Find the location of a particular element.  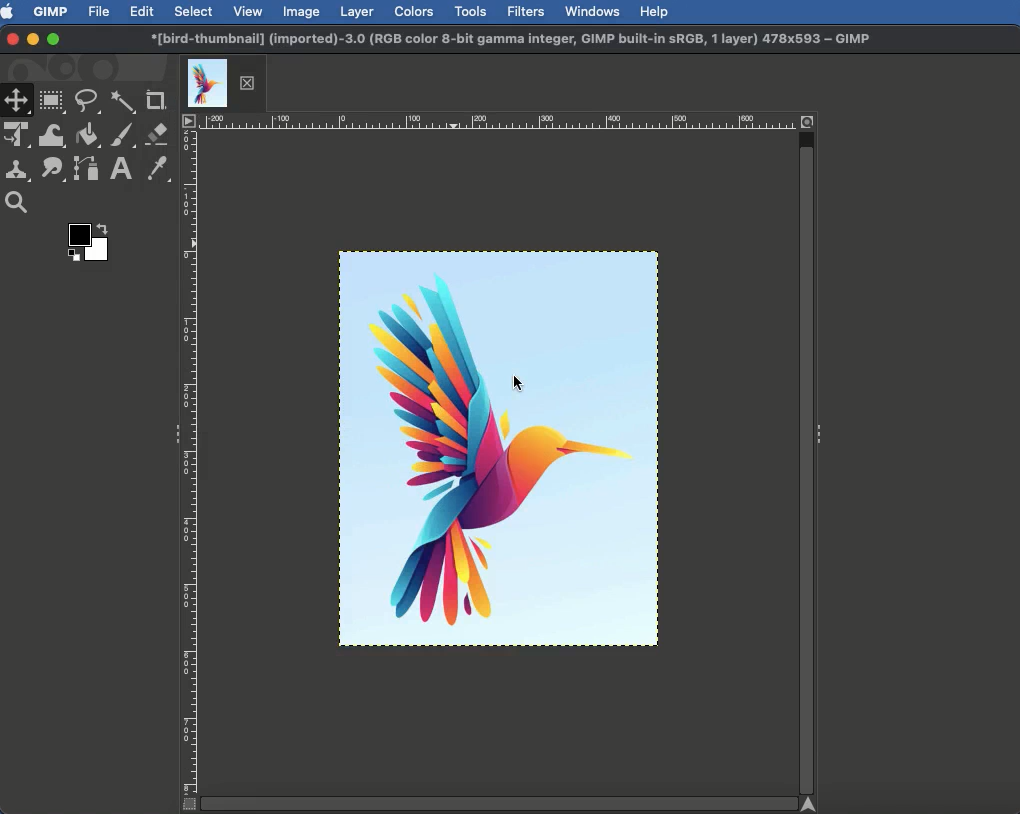

Freeform selector is located at coordinates (88, 101).